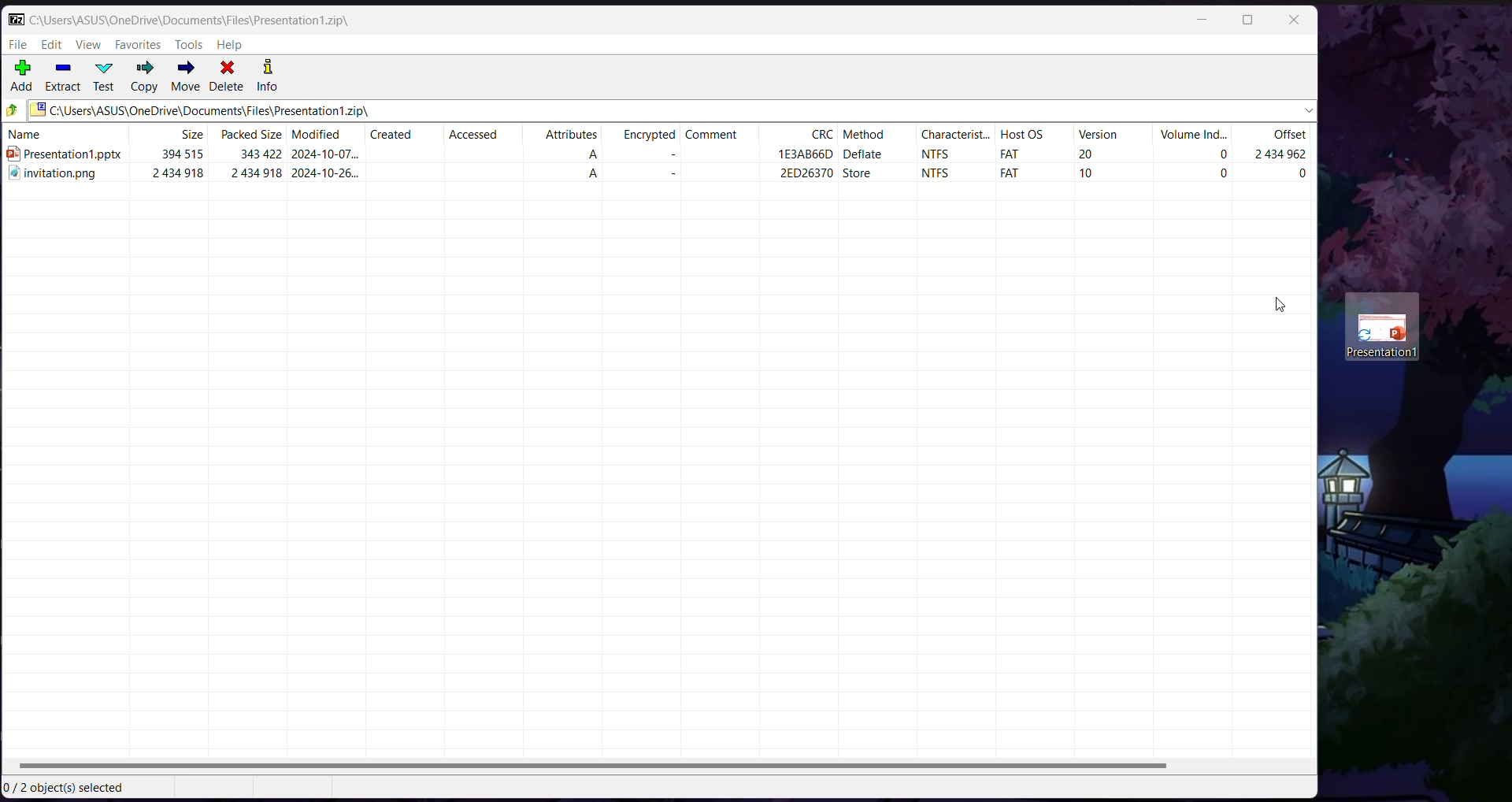  What do you see at coordinates (650, 138) in the screenshot?
I see `ecrypted` at bounding box center [650, 138].